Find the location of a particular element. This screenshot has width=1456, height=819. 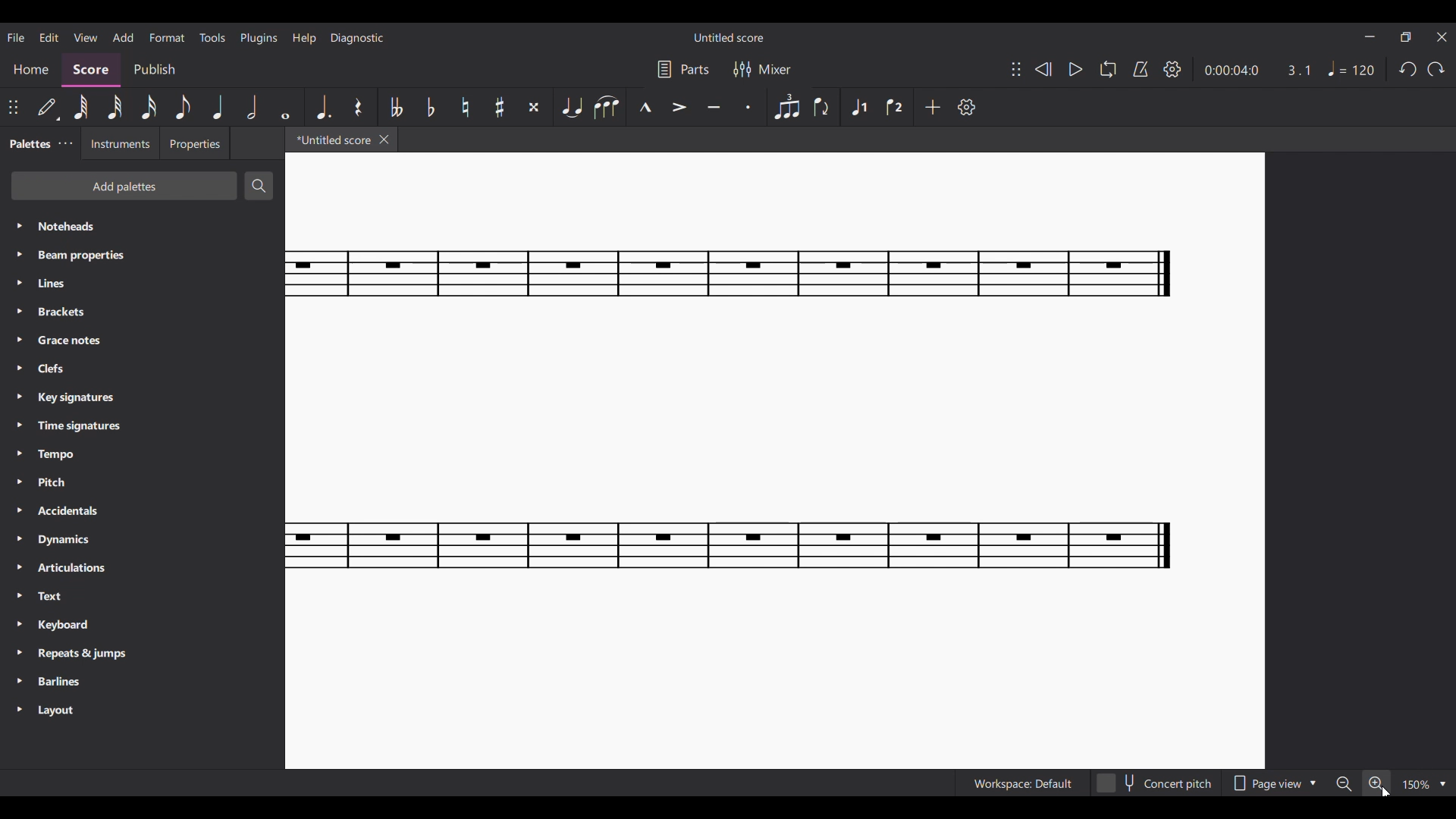

Current score zoomed in more is located at coordinates (776, 461).